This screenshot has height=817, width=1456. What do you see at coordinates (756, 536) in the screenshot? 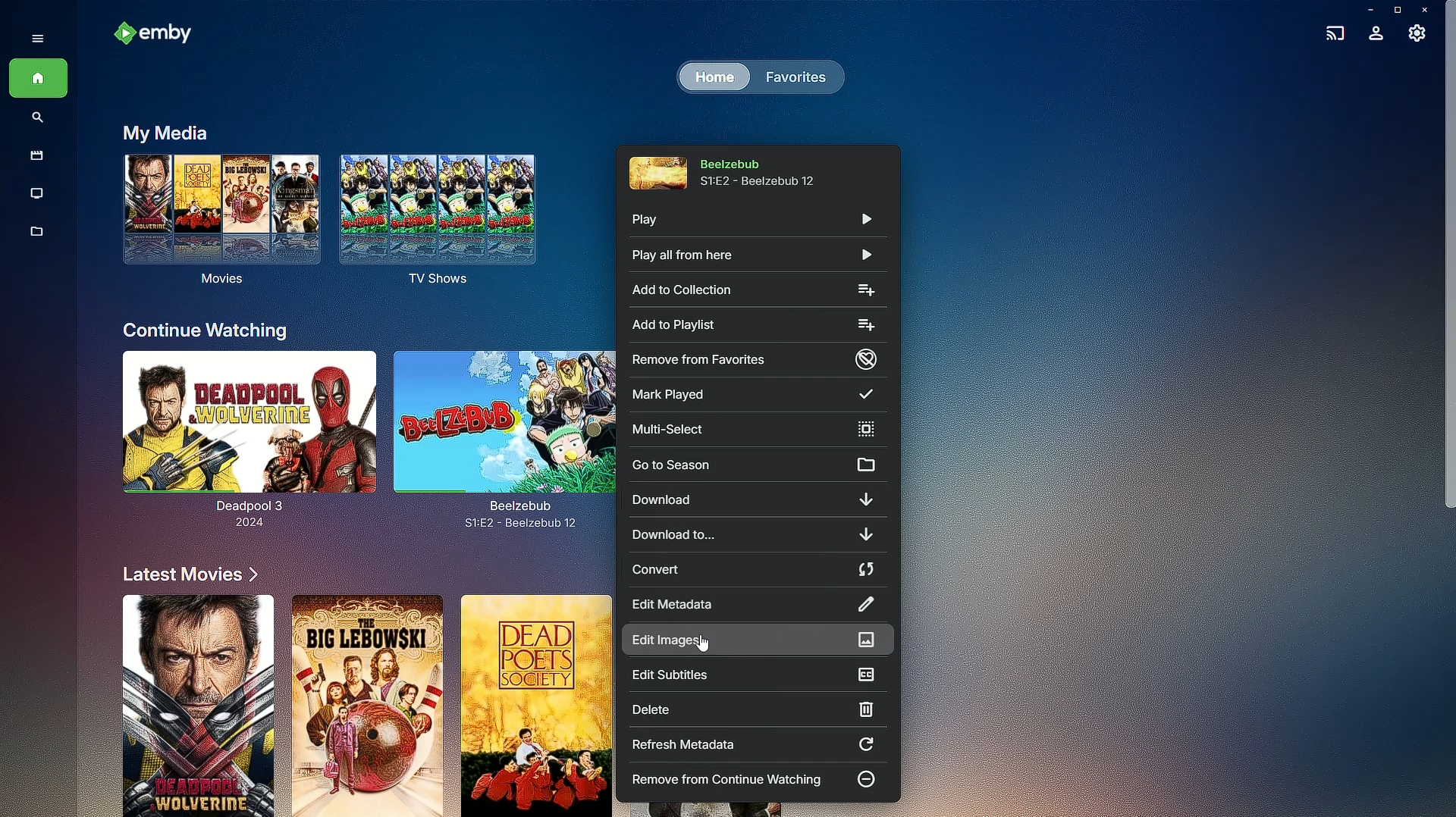
I see `Download to` at bounding box center [756, 536].